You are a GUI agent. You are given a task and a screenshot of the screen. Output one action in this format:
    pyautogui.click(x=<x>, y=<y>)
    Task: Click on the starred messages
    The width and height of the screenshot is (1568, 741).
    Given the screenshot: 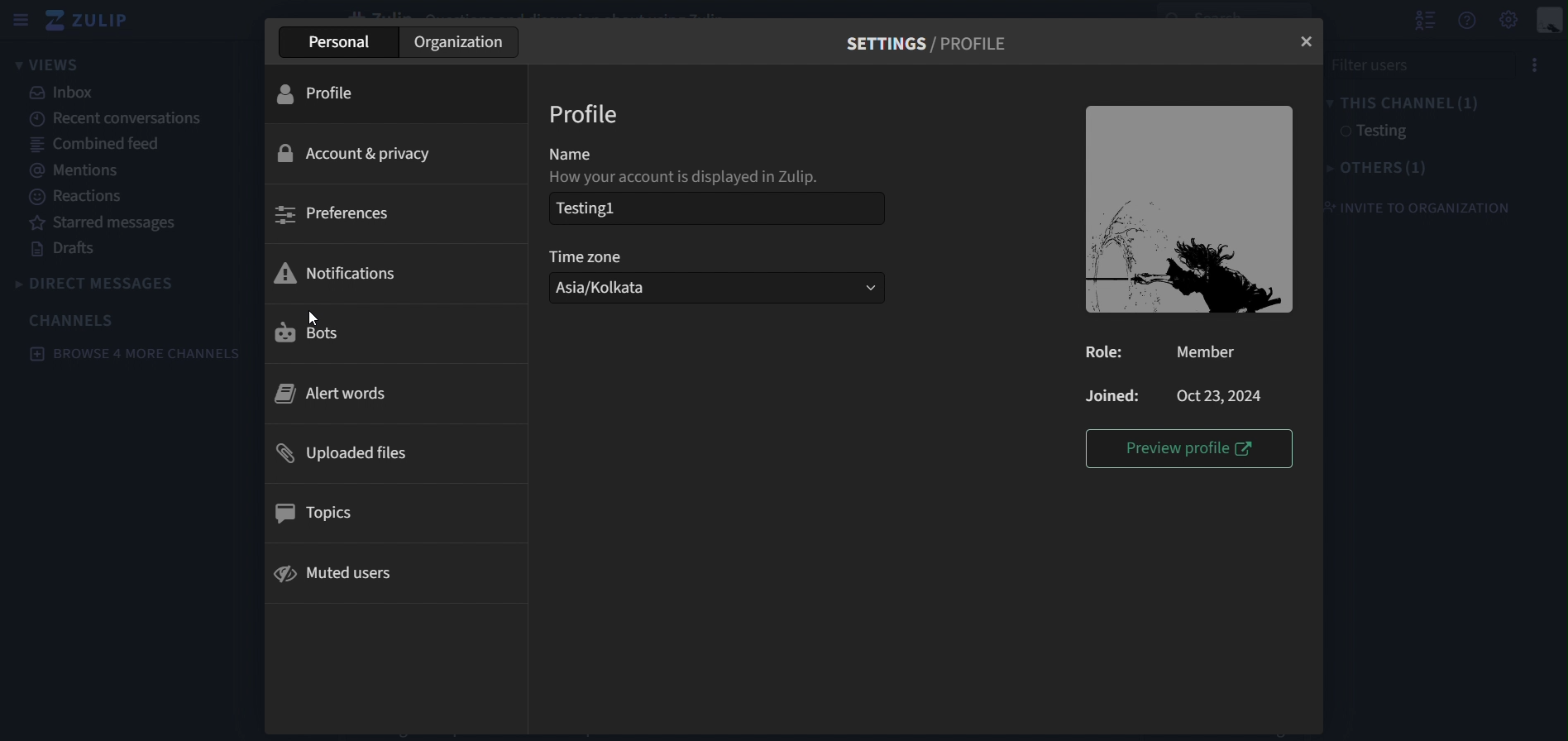 What is the action you would take?
    pyautogui.click(x=107, y=222)
    